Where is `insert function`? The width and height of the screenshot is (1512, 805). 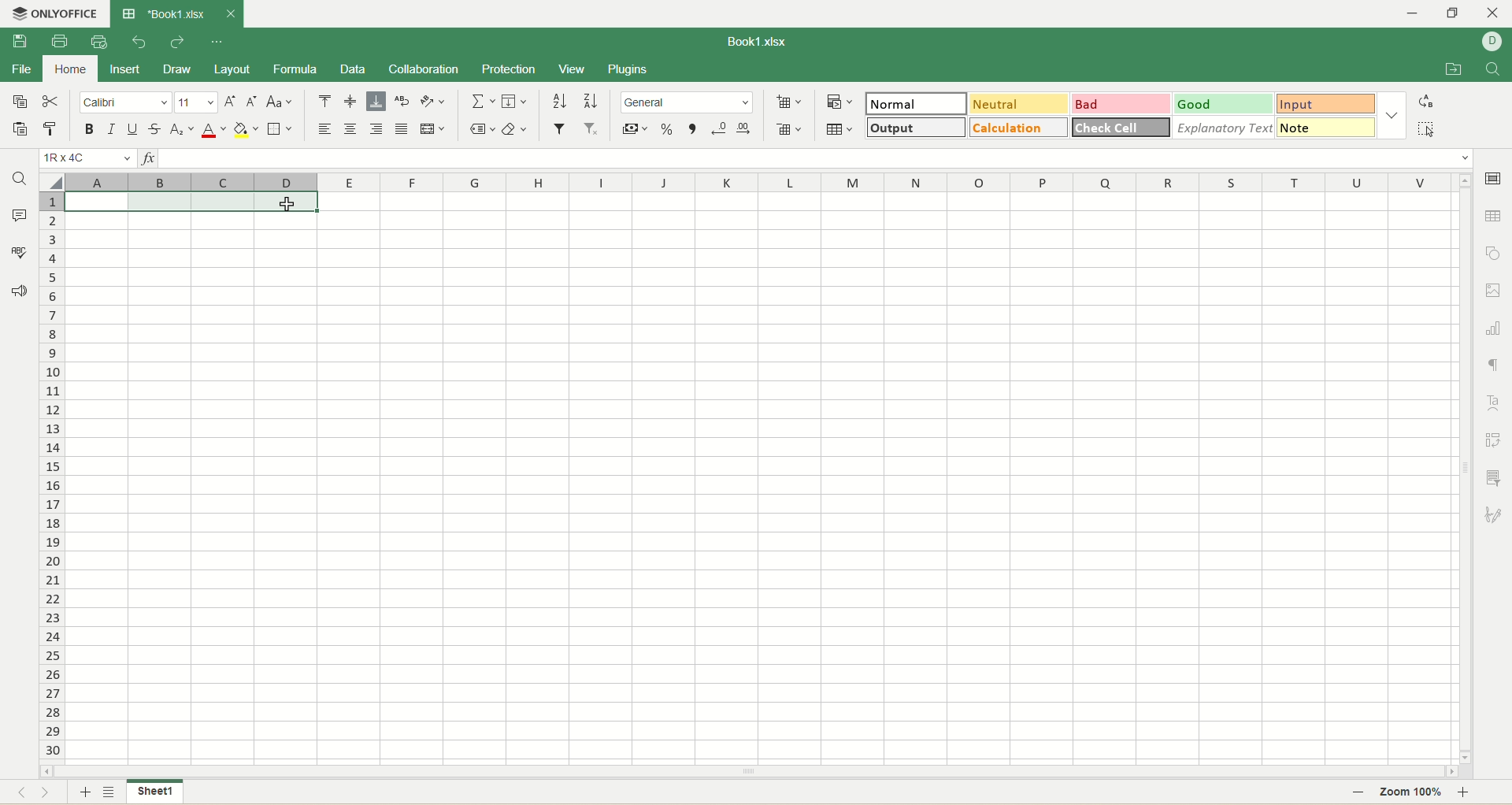
insert function is located at coordinates (148, 158).